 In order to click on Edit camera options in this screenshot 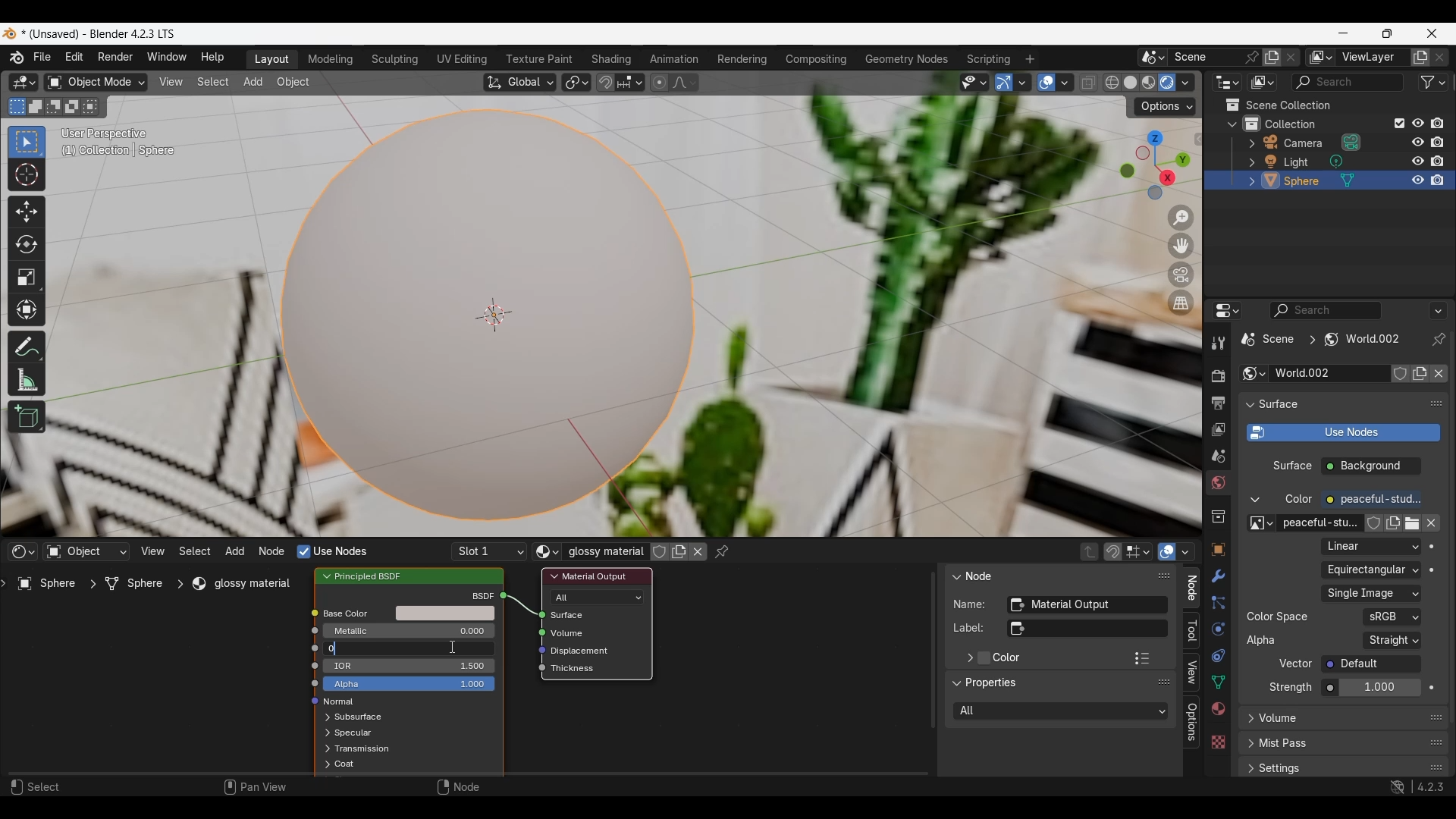, I will do `click(1271, 142)`.